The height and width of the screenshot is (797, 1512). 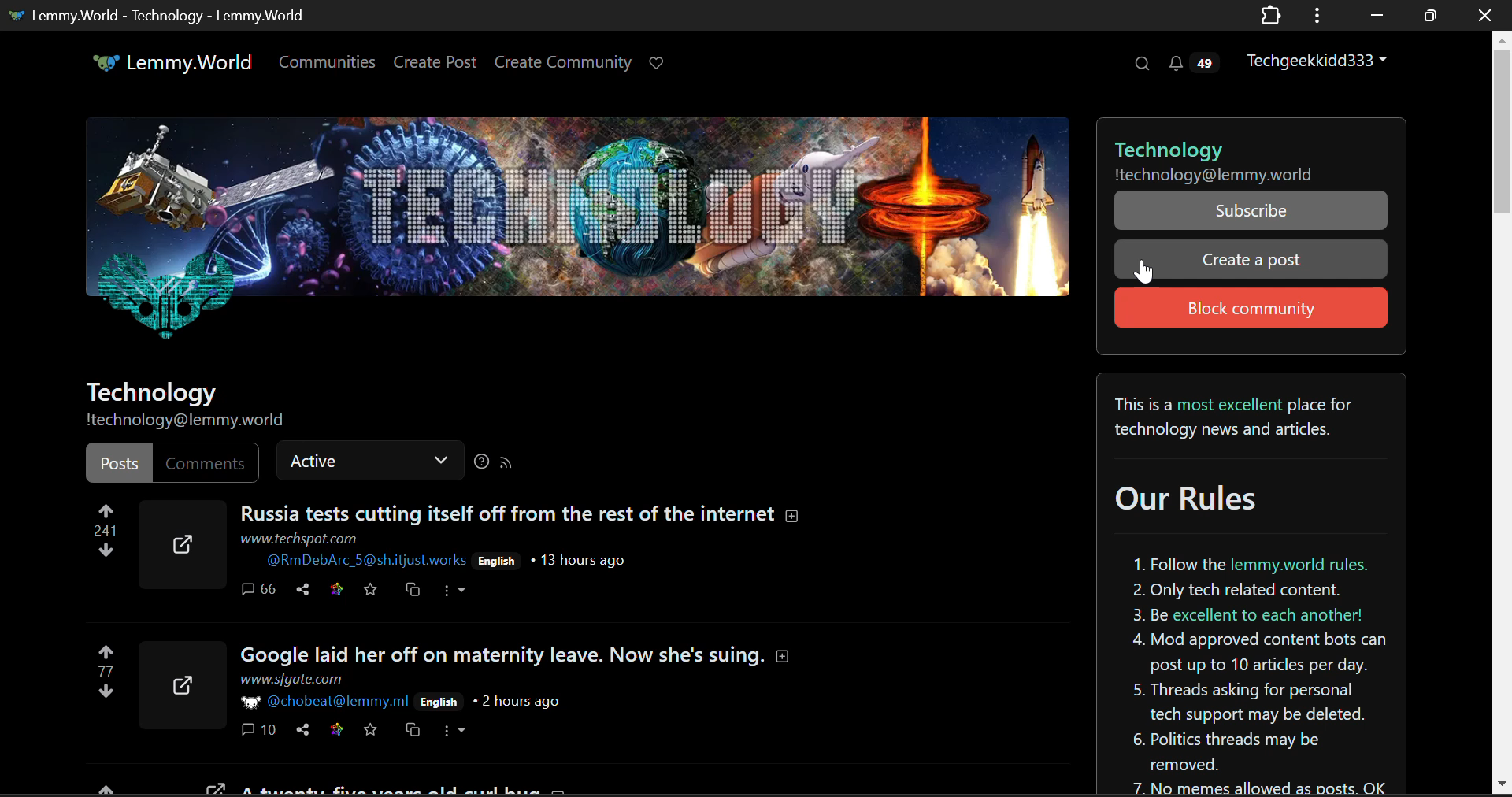 I want to click on Communities Page Open, so click(x=329, y=61).